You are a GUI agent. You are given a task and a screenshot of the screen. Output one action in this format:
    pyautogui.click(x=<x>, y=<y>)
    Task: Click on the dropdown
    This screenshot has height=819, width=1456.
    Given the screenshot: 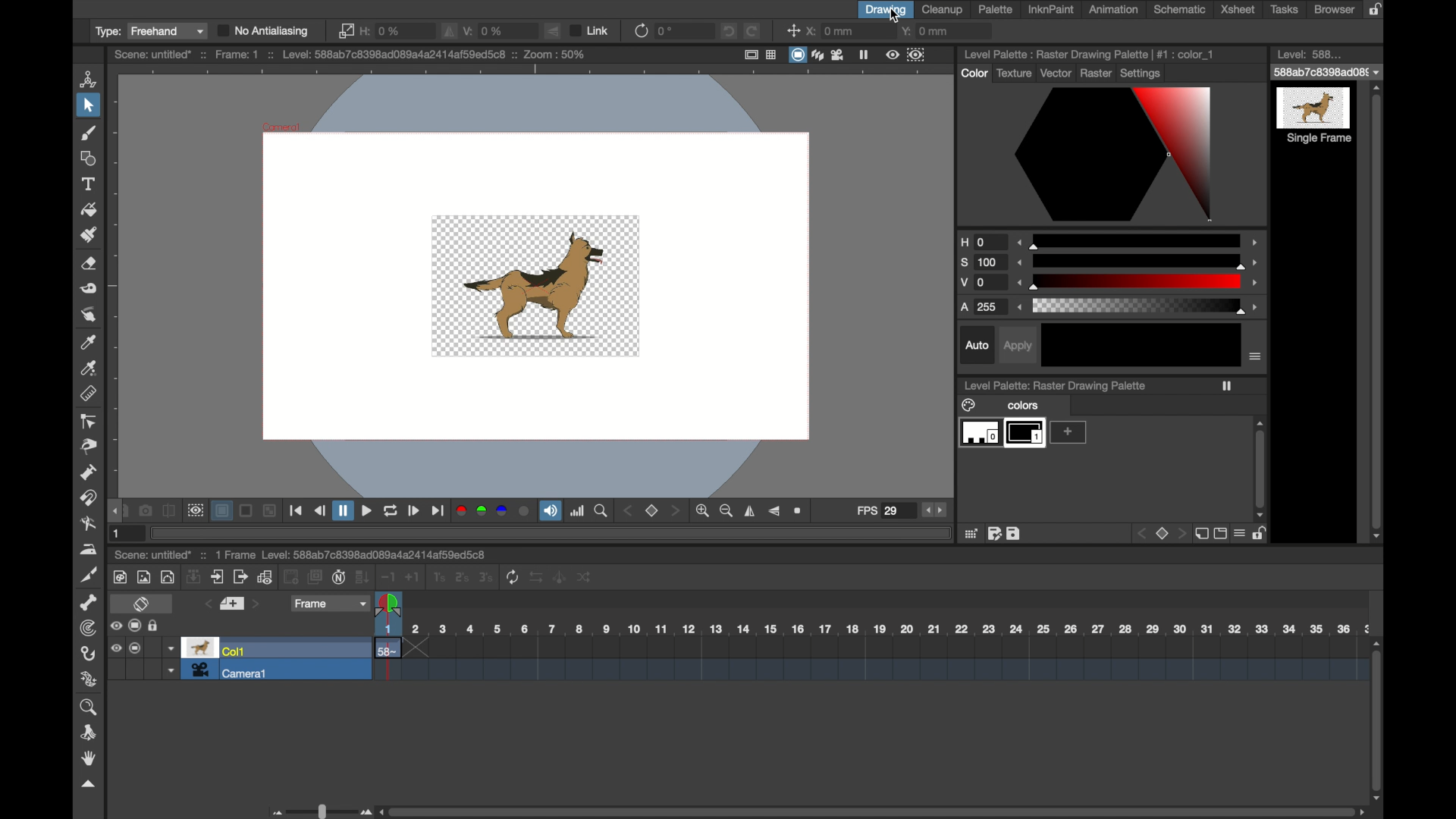 What is the action you would take?
    pyautogui.click(x=1327, y=72)
    